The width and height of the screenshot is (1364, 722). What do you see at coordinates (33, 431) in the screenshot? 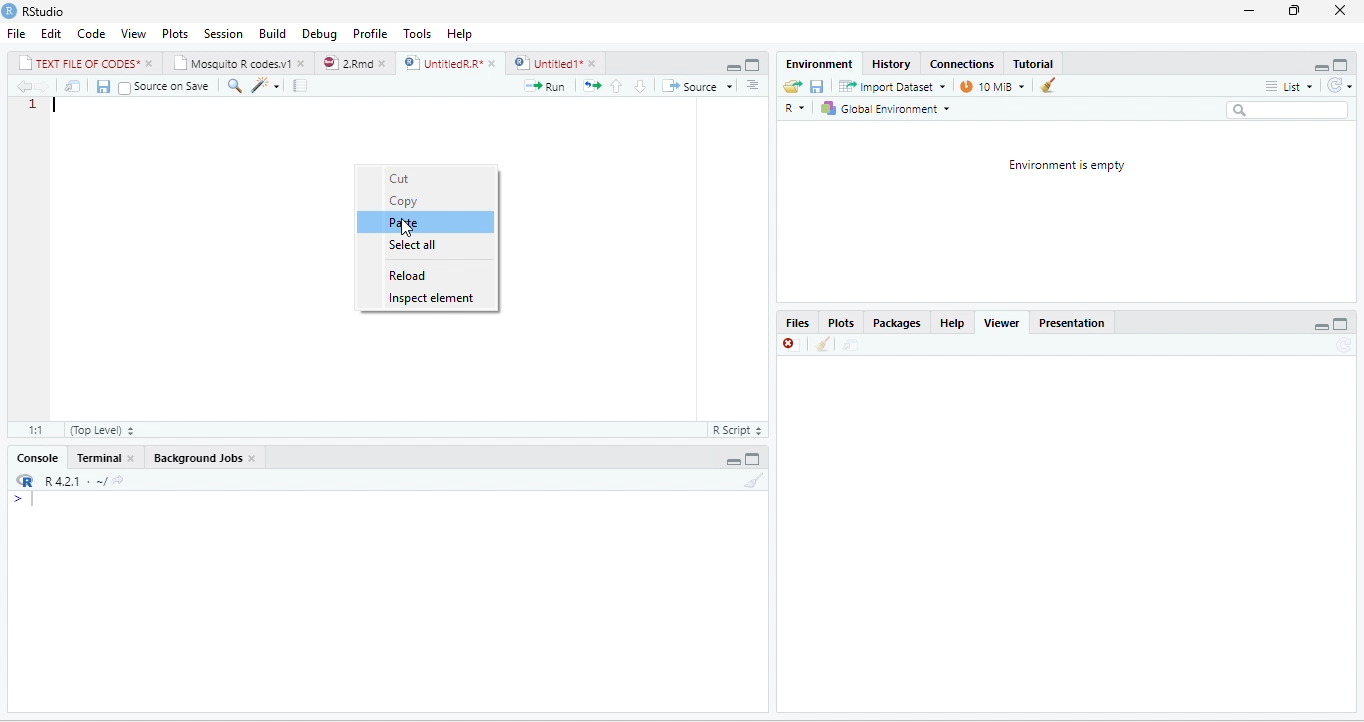
I see `1:1` at bounding box center [33, 431].